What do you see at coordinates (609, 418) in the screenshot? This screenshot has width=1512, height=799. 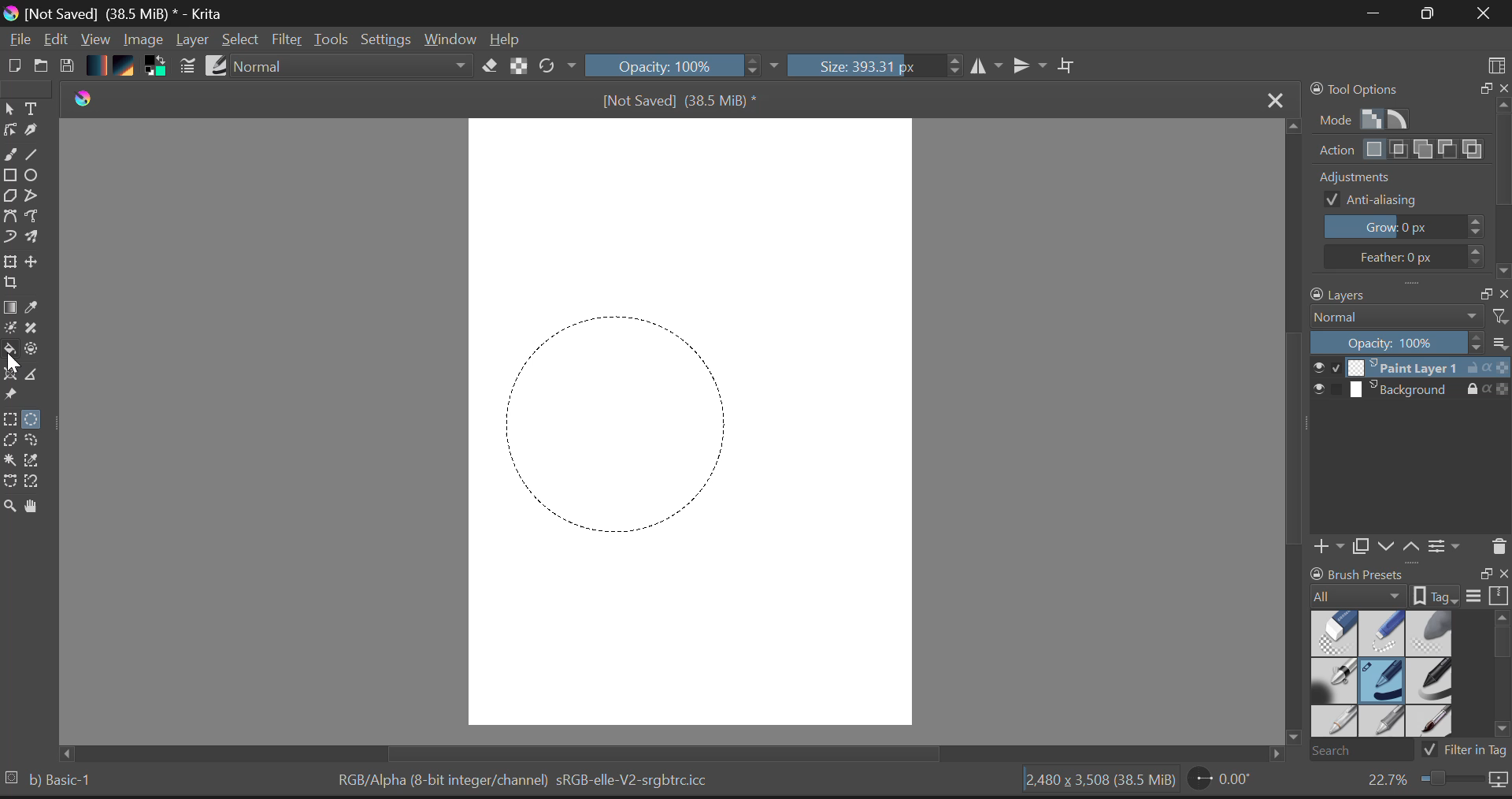 I see `Mock Shape Generated` at bounding box center [609, 418].